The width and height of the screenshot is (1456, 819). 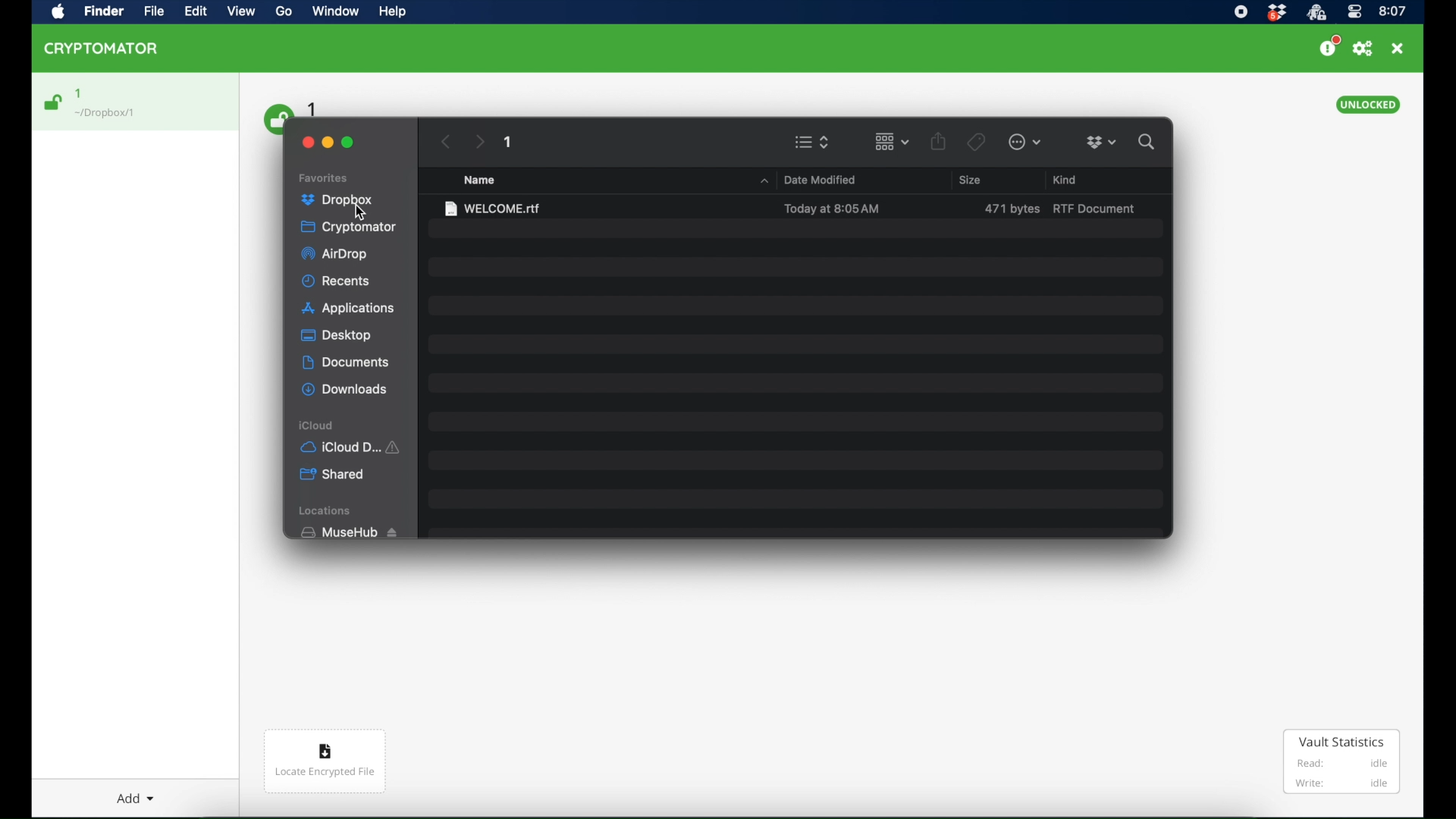 I want to click on Add dropdown, so click(x=139, y=792).